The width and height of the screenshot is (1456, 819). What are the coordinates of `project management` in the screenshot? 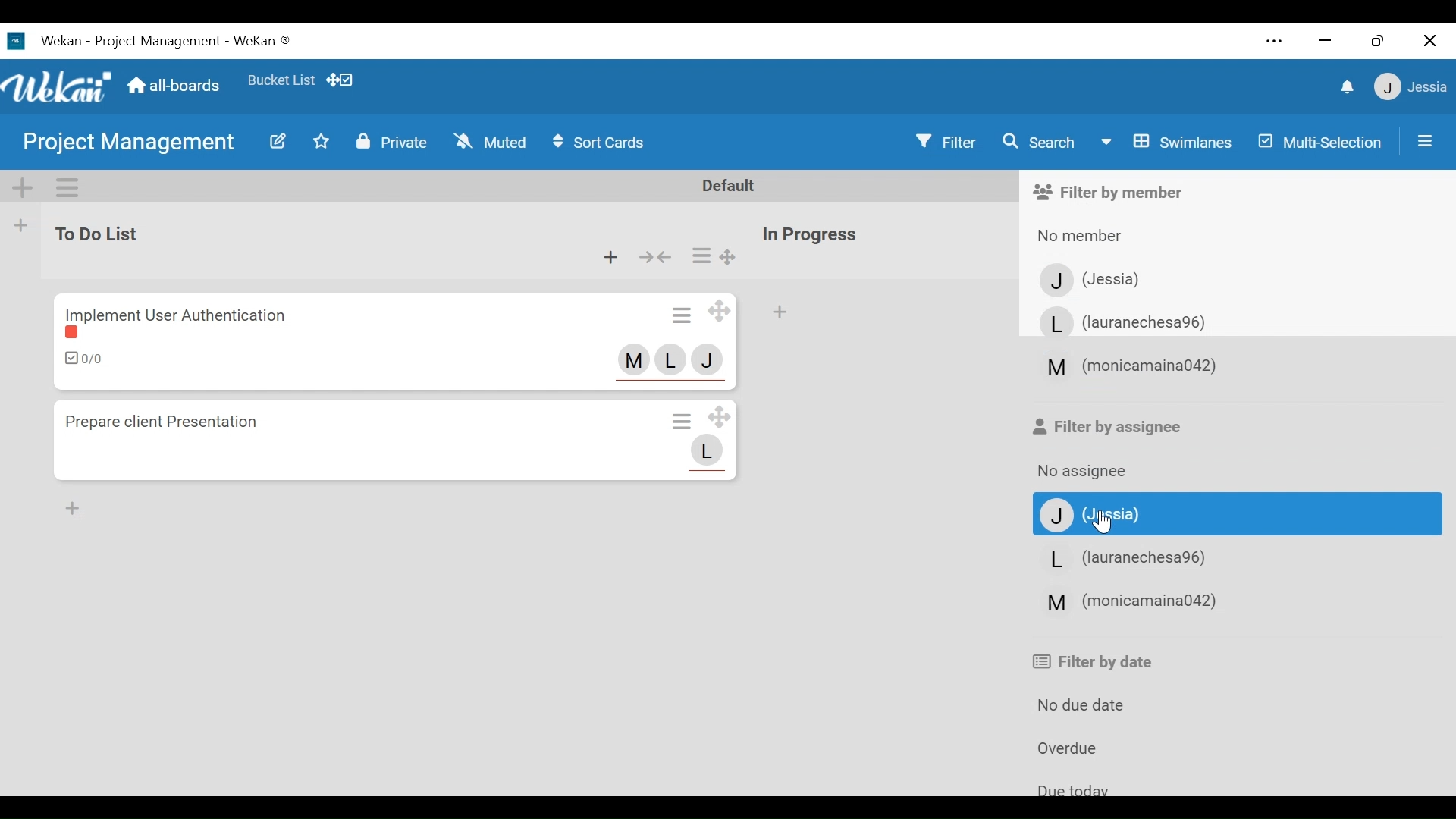 It's located at (128, 141).